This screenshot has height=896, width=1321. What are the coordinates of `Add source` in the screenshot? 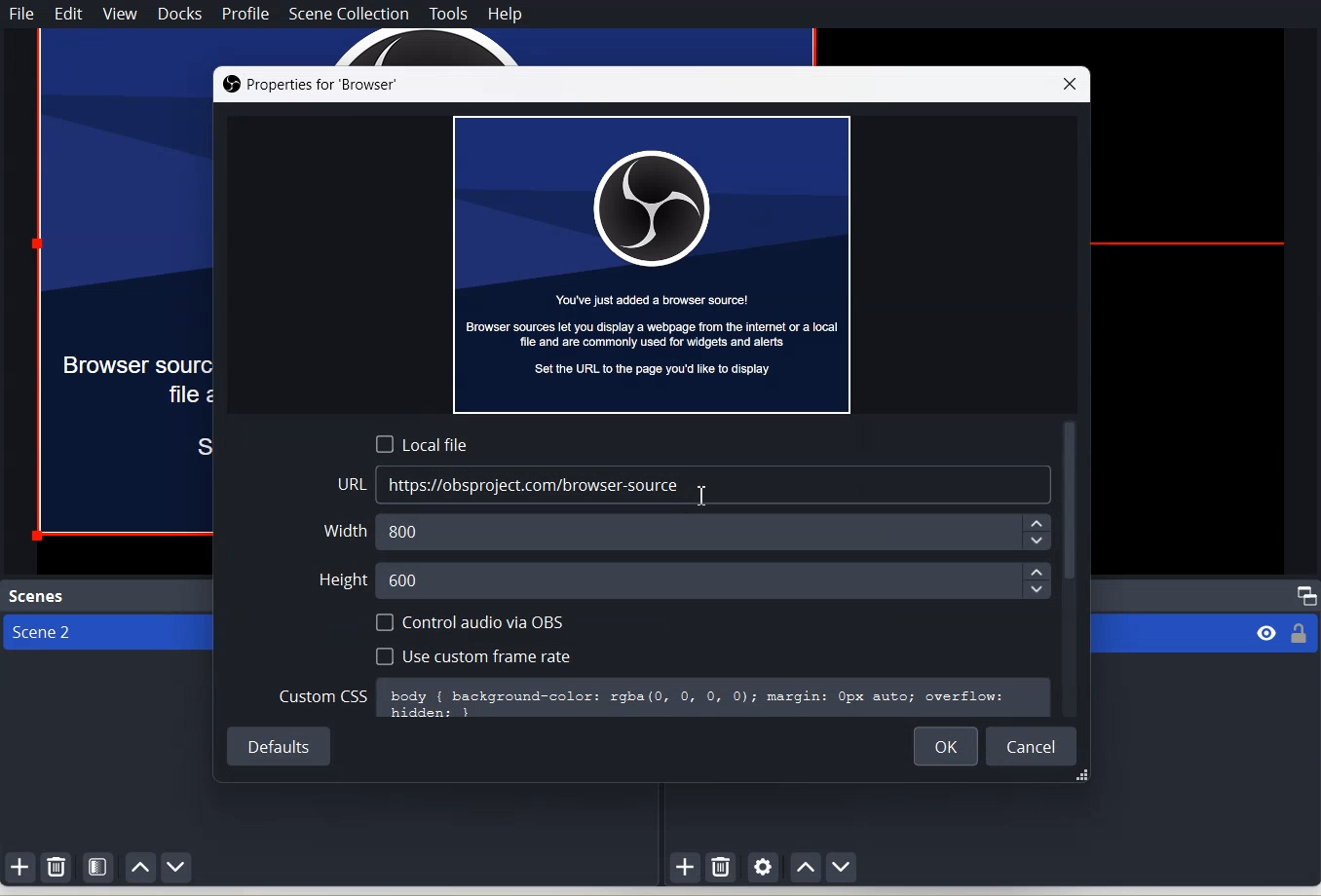 It's located at (686, 868).